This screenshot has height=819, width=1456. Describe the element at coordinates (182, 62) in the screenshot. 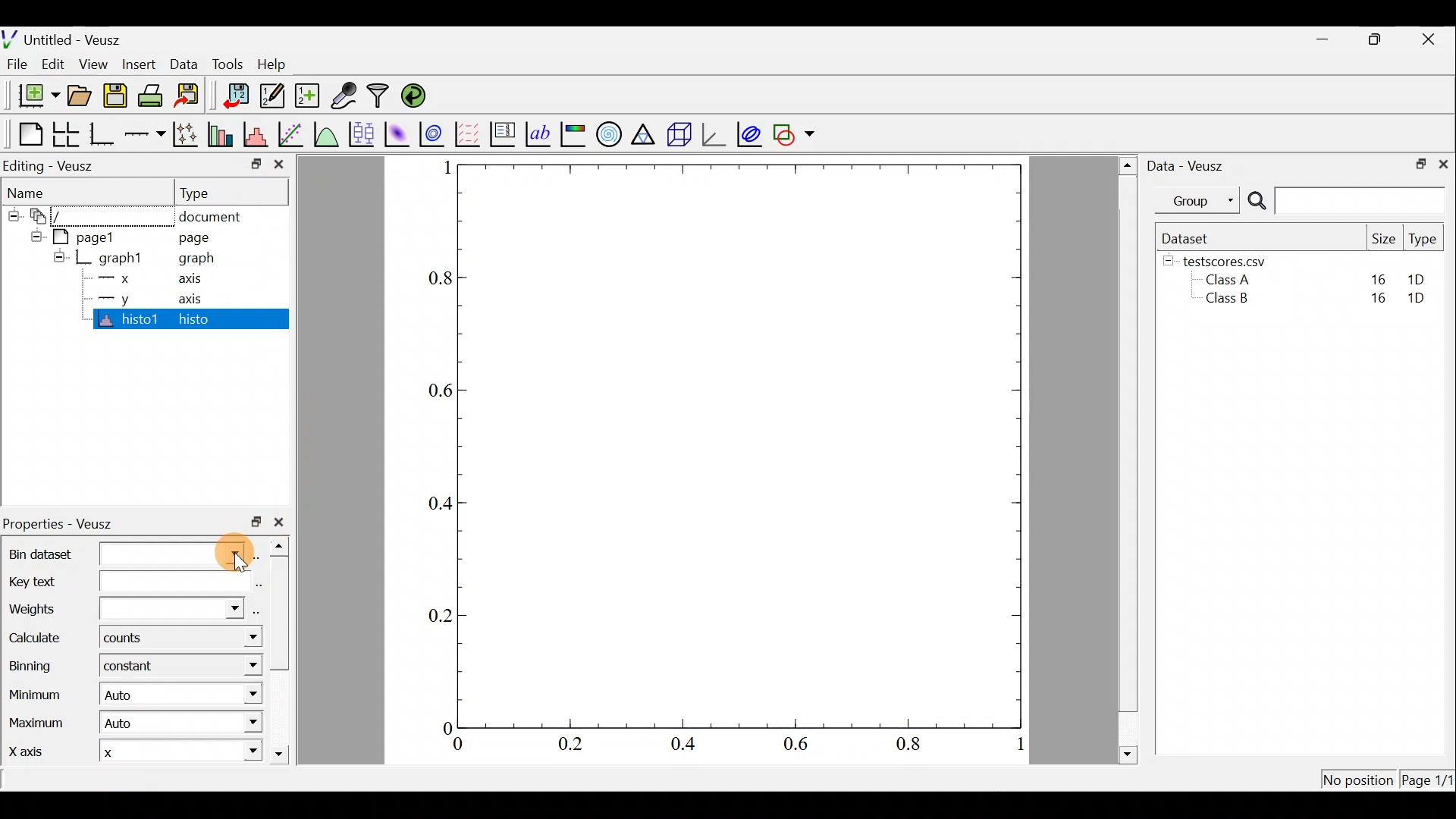

I see `Data` at that location.